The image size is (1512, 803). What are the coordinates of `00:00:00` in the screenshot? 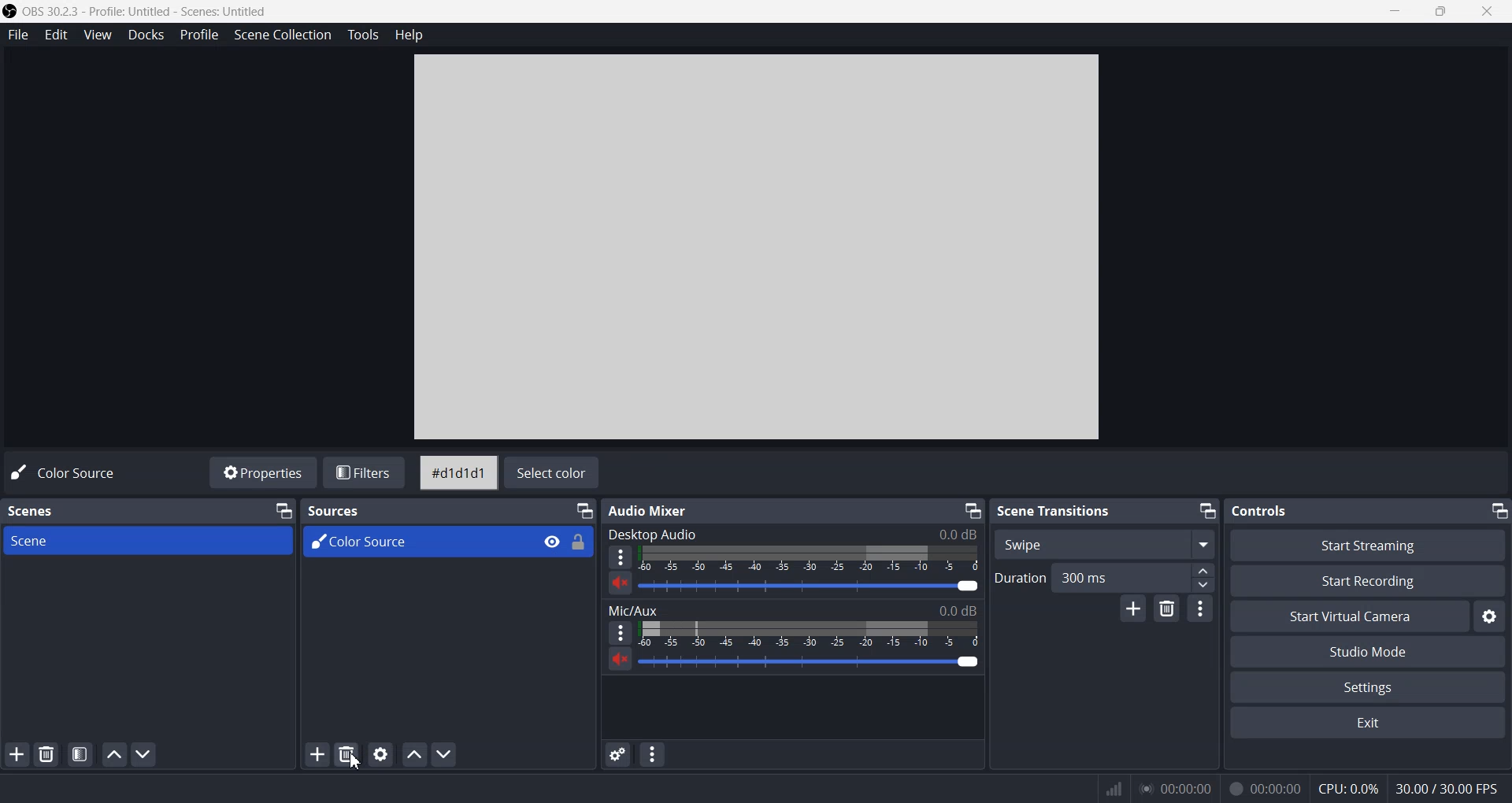 It's located at (1262, 786).